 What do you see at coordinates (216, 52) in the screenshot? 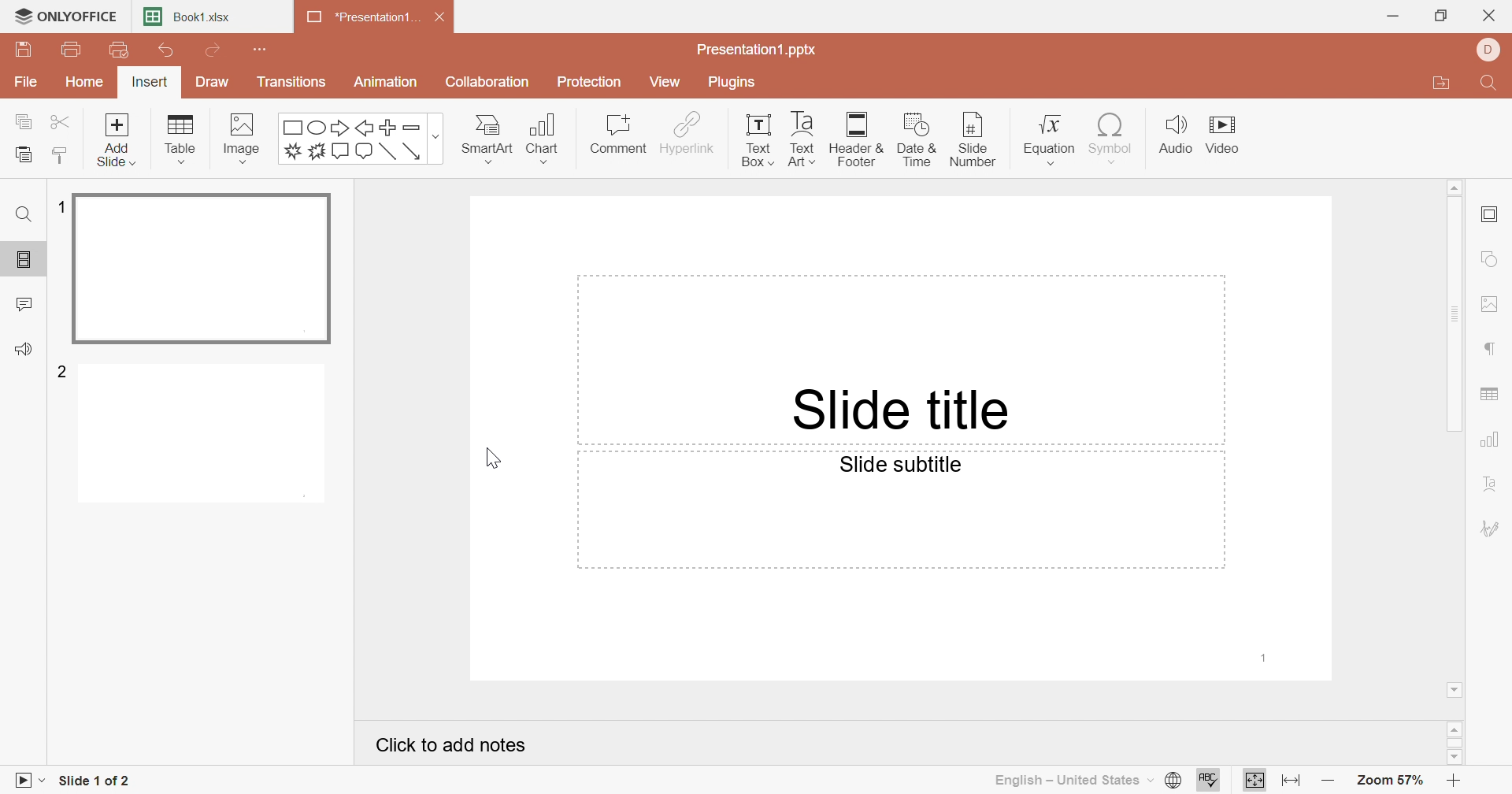
I see `Redo` at bounding box center [216, 52].